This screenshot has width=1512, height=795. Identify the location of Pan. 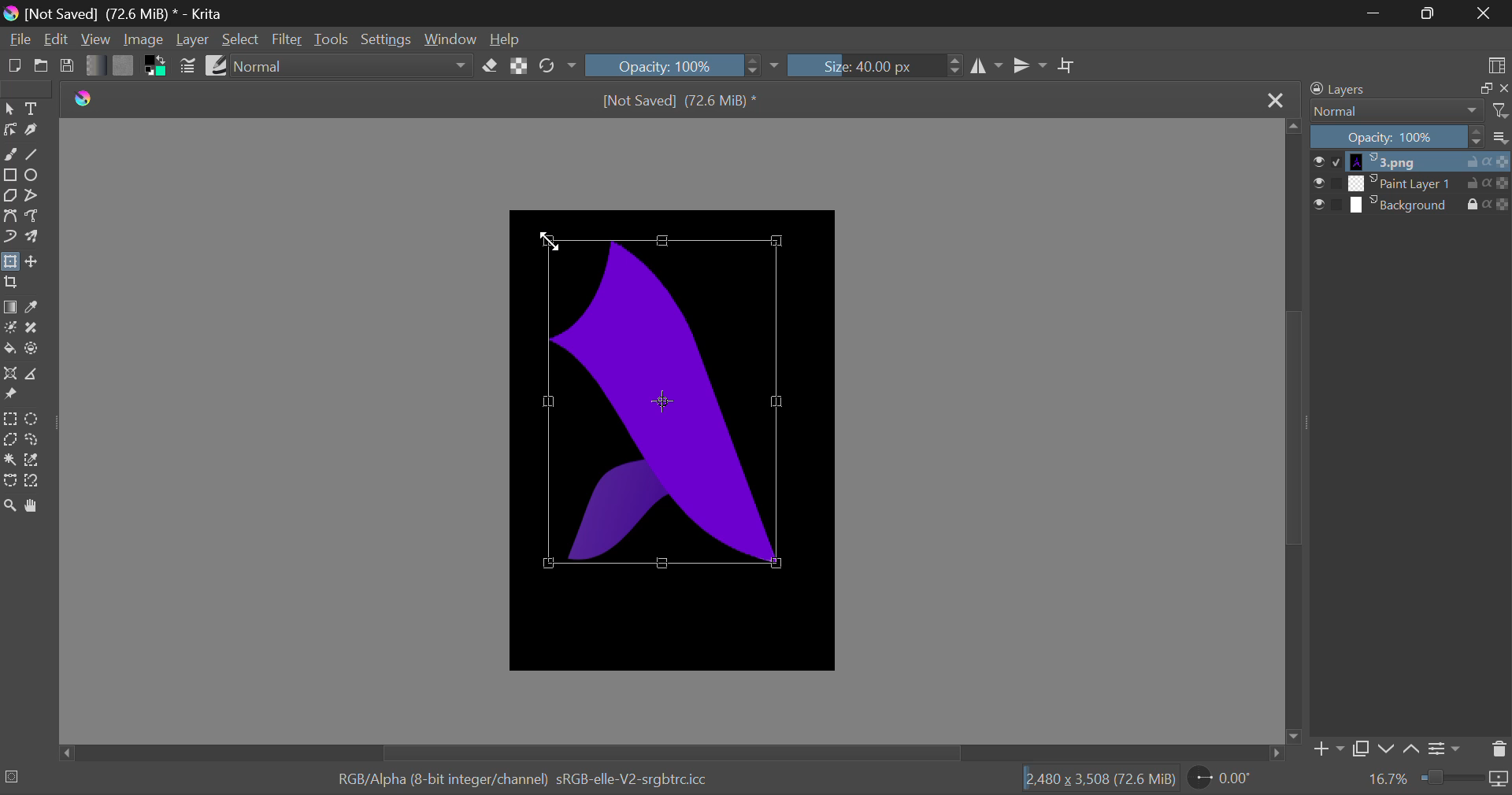
(36, 505).